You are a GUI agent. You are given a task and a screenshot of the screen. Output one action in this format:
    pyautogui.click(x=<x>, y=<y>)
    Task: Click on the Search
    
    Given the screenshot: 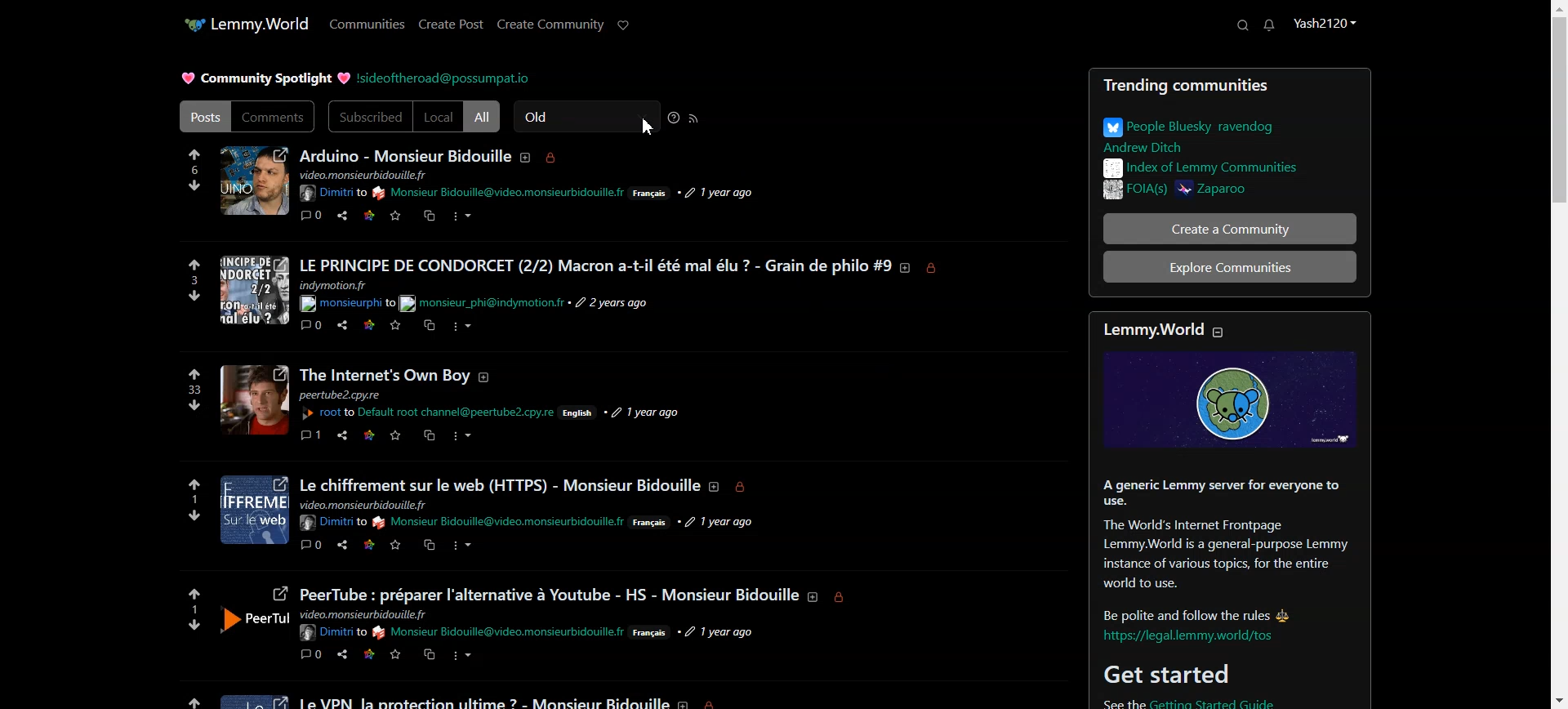 What is the action you would take?
    pyautogui.click(x=1243, y=25)
    